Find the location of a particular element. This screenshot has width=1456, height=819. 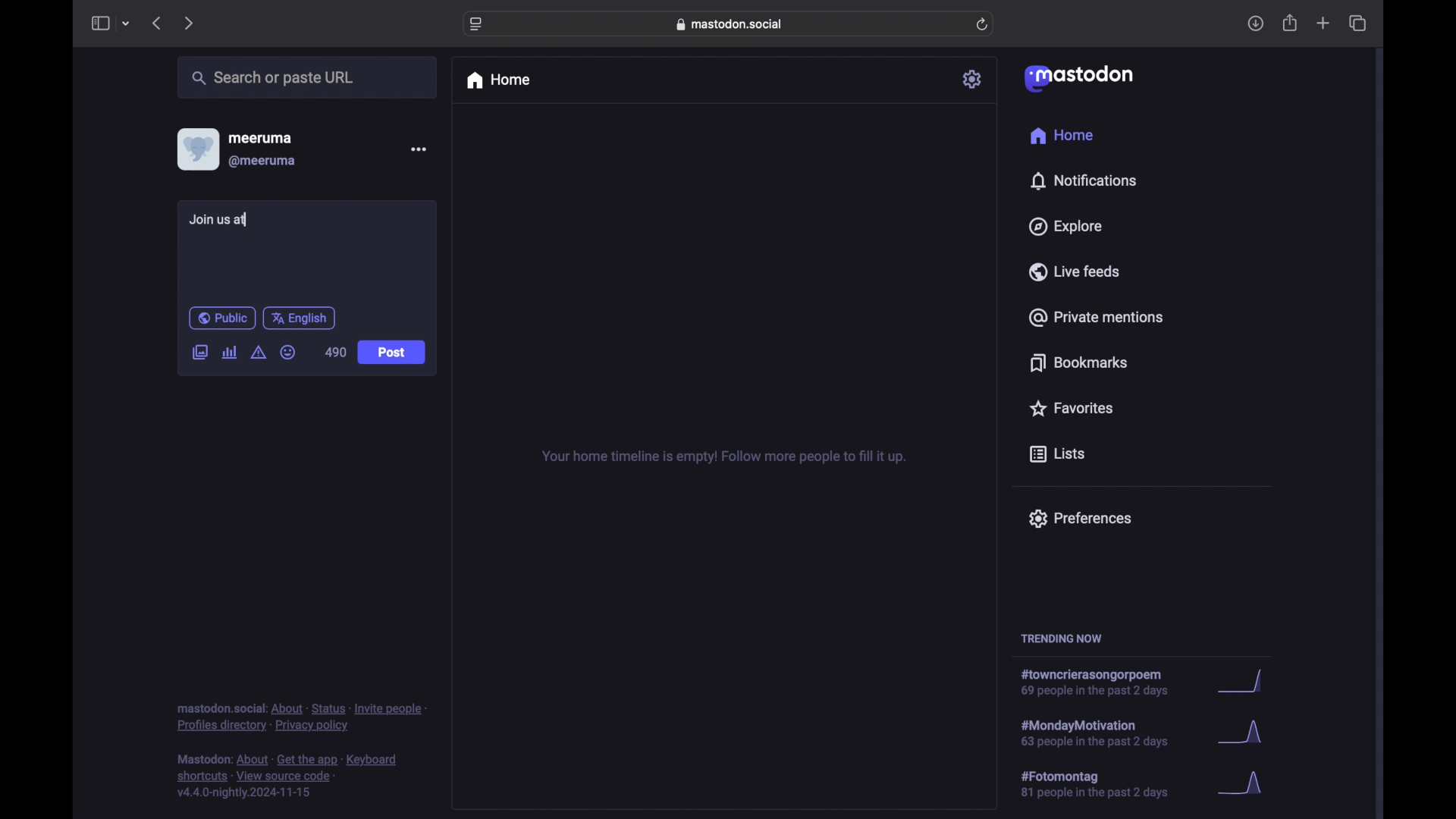

new tab is located at coordinates (1323, 23).